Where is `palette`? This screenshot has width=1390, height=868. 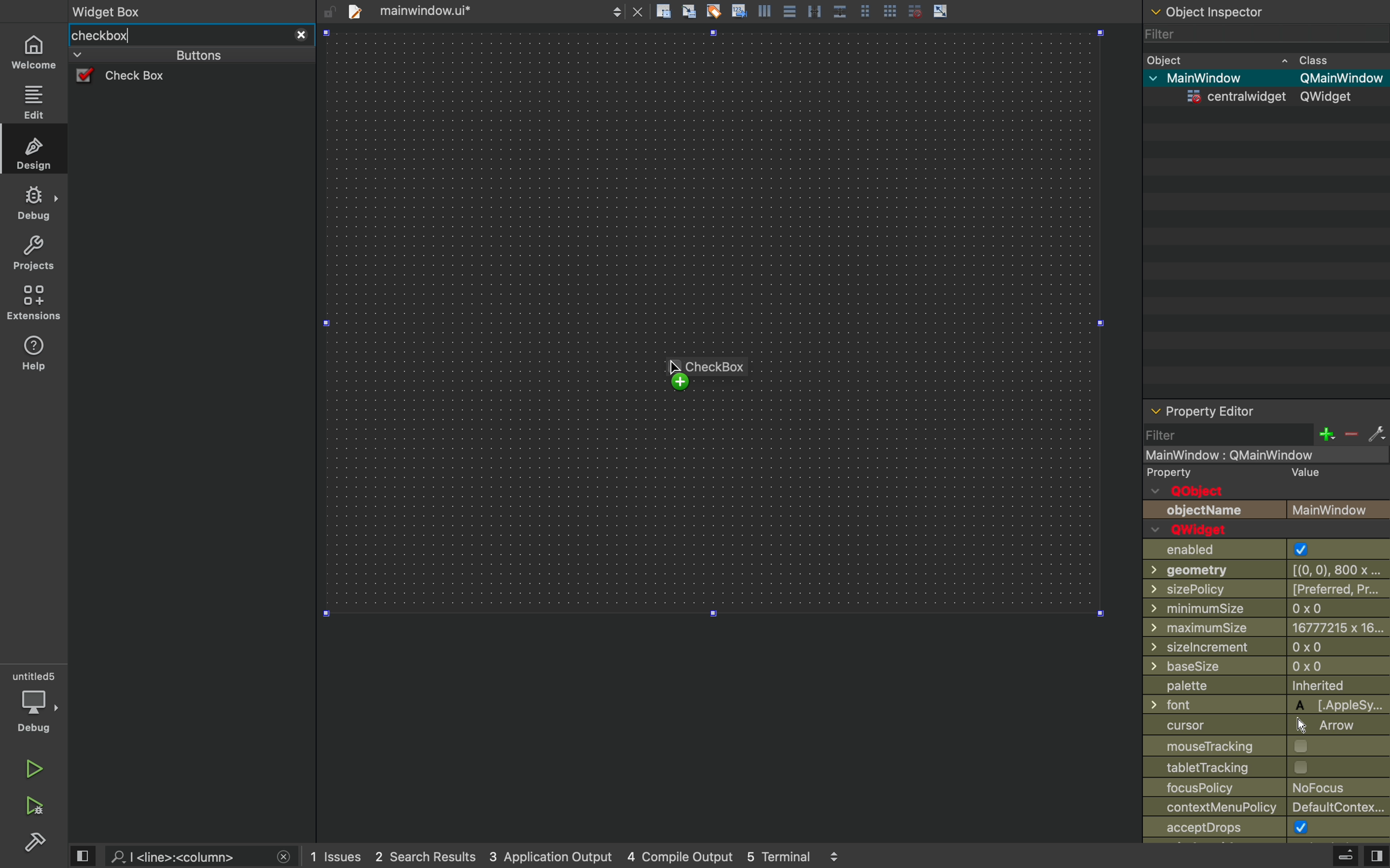 palette is located at coordinates (1265, 687).